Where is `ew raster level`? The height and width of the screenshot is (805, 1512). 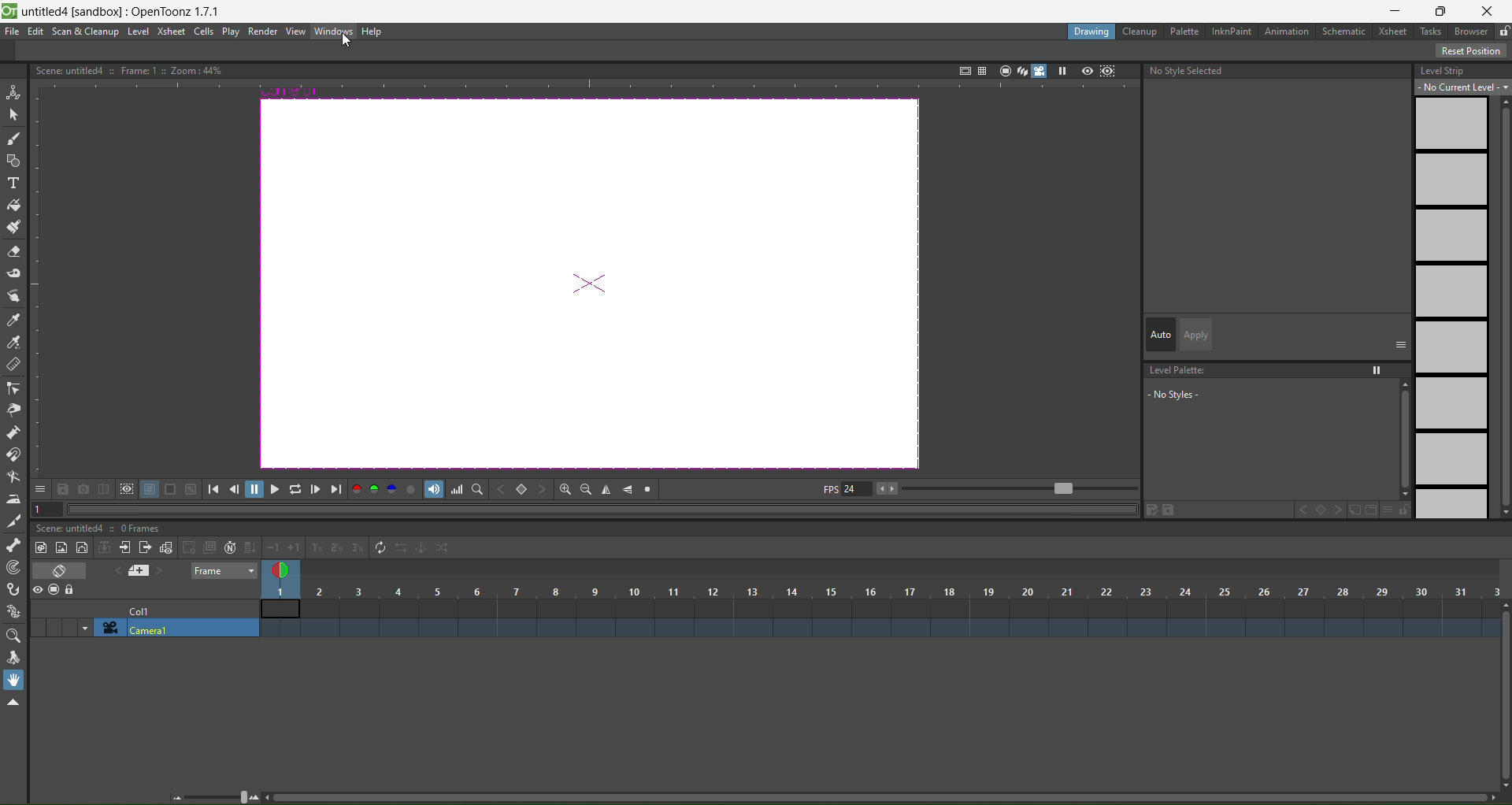
ew raster level is located at coordinates (60, 548).